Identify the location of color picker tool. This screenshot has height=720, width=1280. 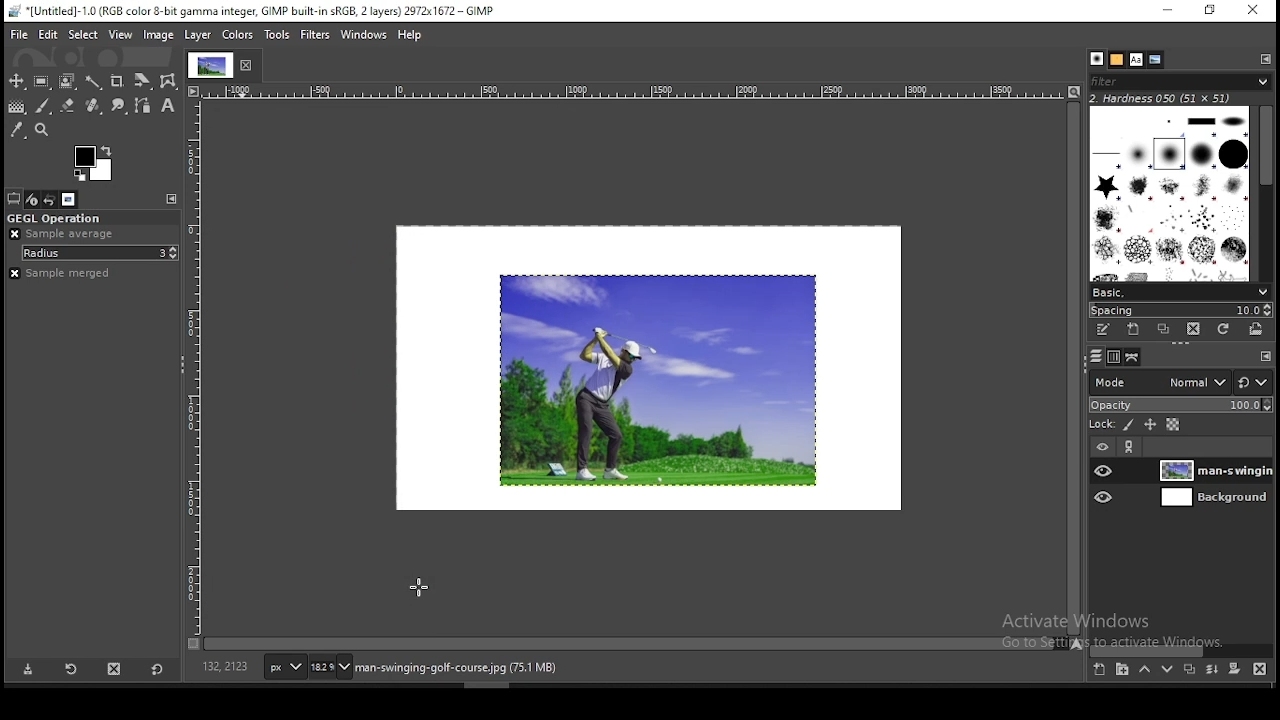
(18, 129).